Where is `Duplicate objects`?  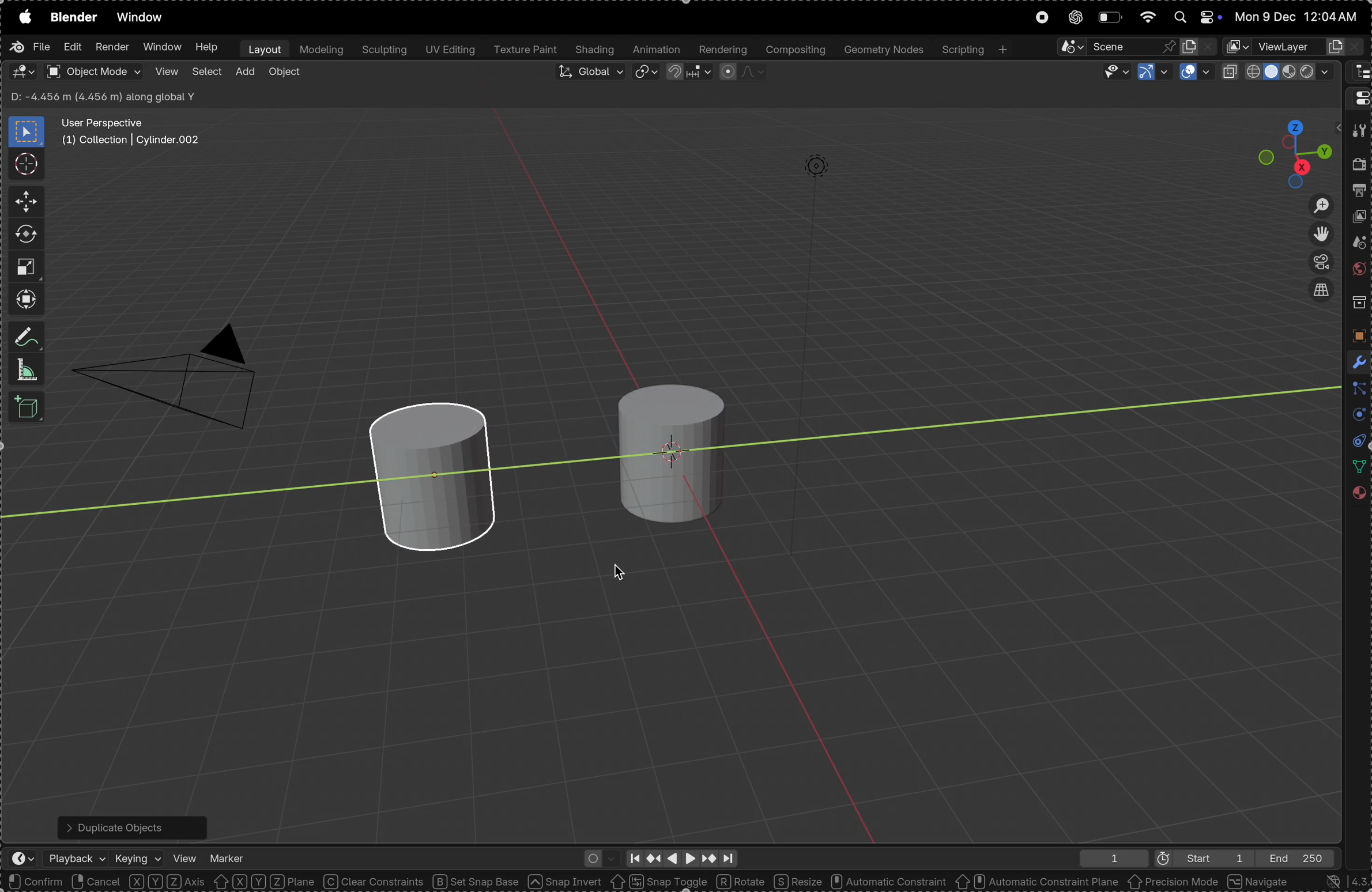
Duplicate objects is located at coordinates (130, 825).